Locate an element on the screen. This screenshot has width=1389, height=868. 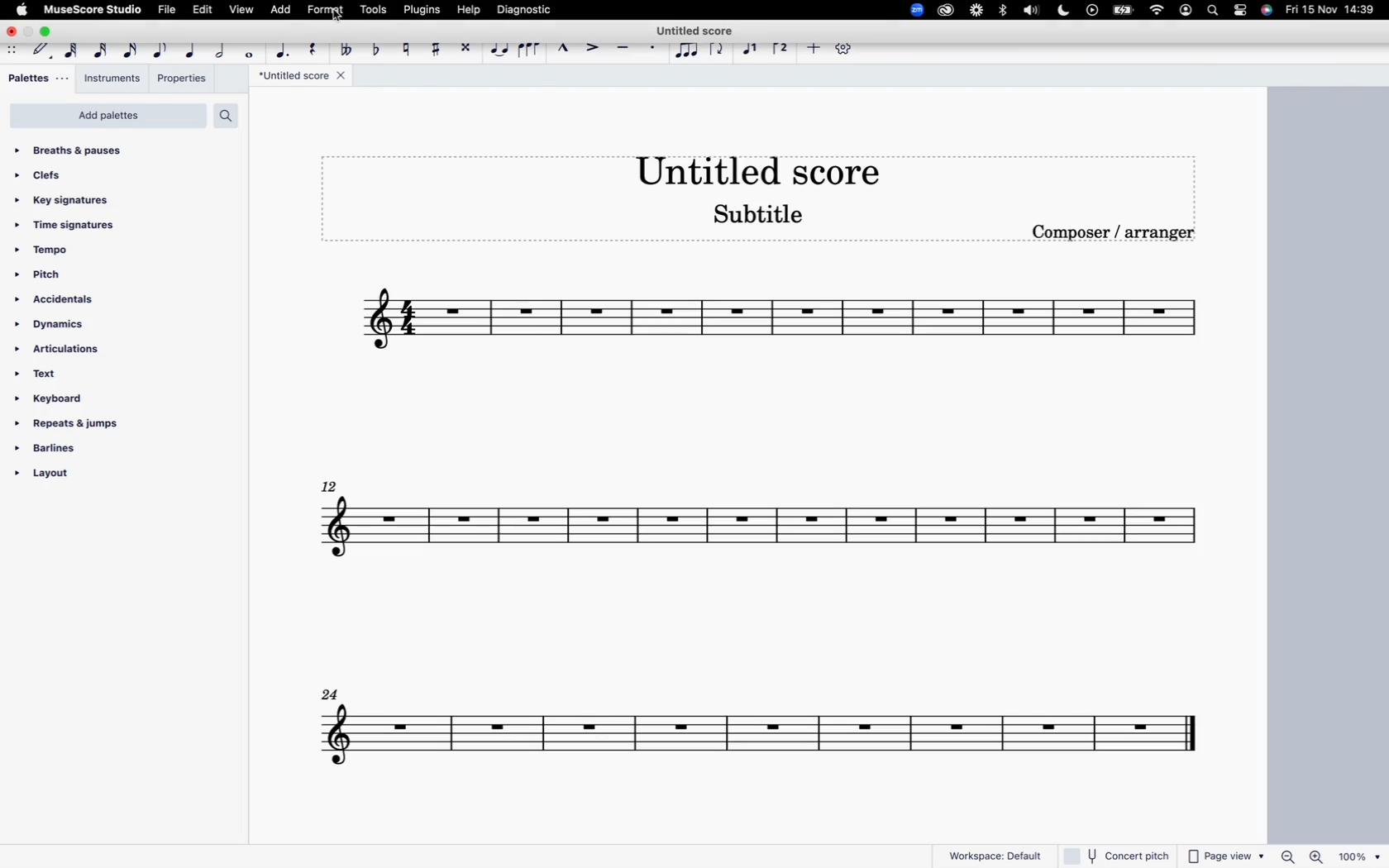
loom is located at coordinates (976, 11).